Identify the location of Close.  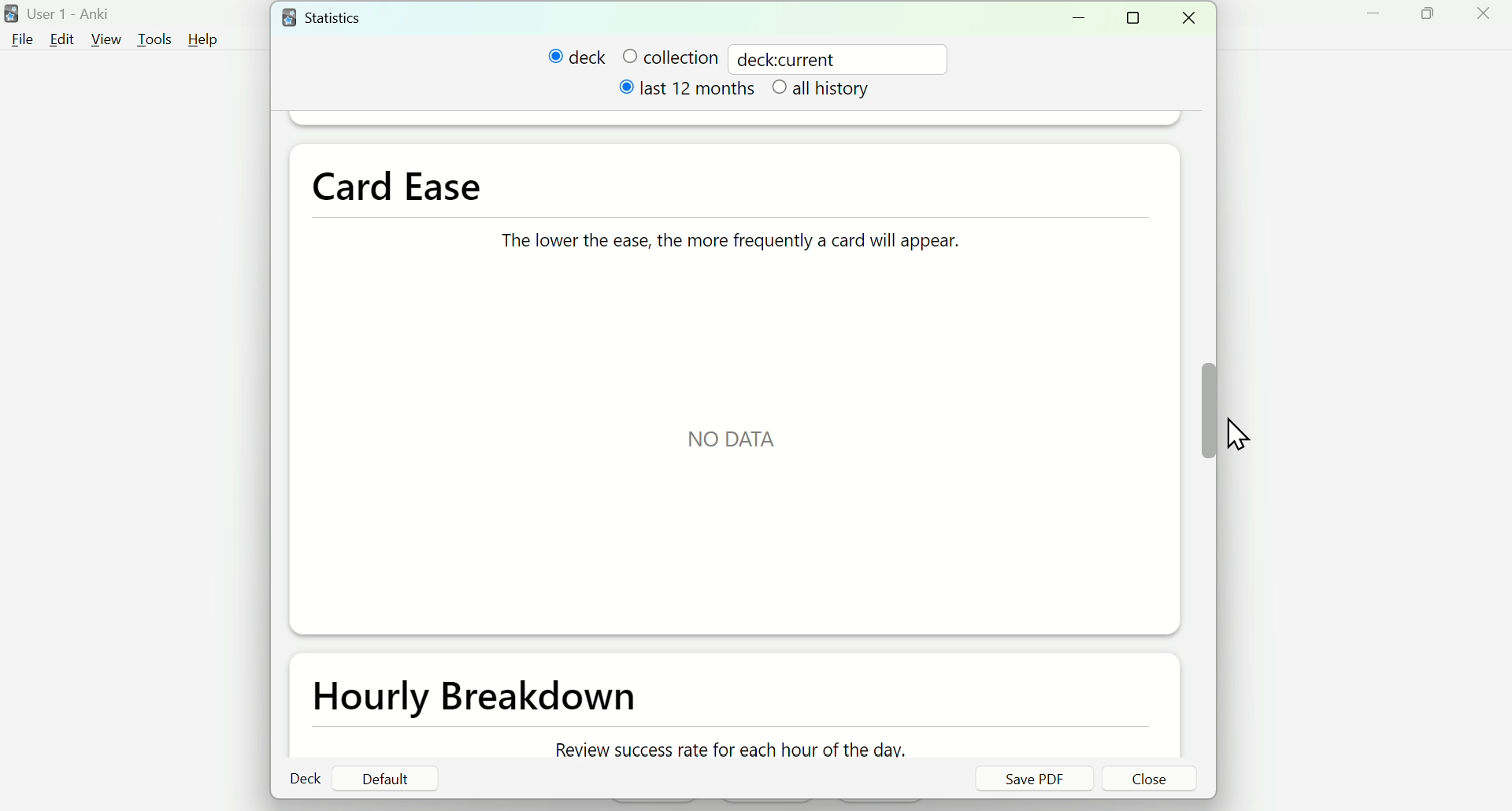
(1151, 780).